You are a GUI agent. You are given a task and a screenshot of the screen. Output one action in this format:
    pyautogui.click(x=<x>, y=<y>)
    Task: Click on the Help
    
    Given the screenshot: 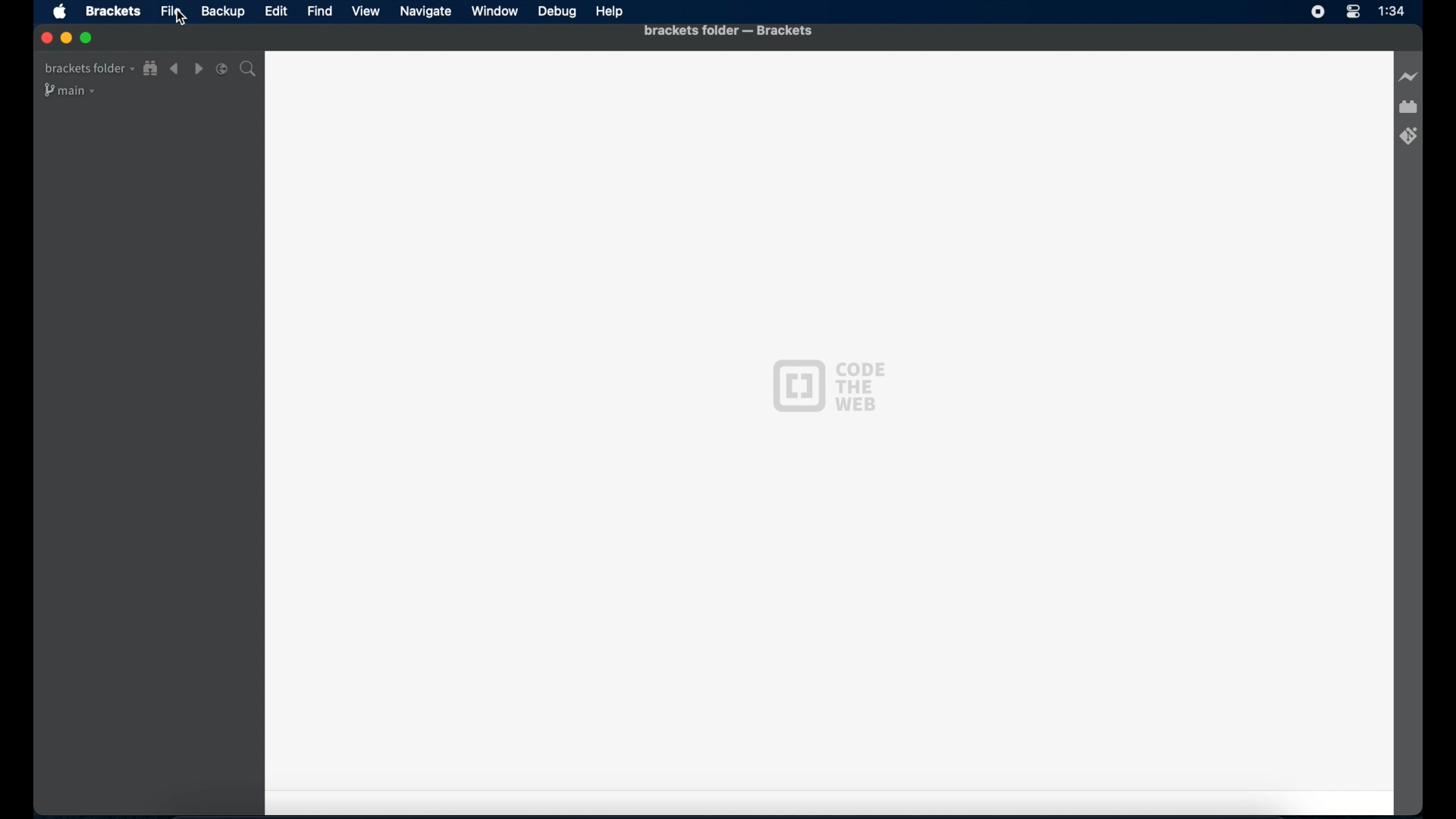 What is the action you would take?
    pyautogui.click(x=610, y=13)
    